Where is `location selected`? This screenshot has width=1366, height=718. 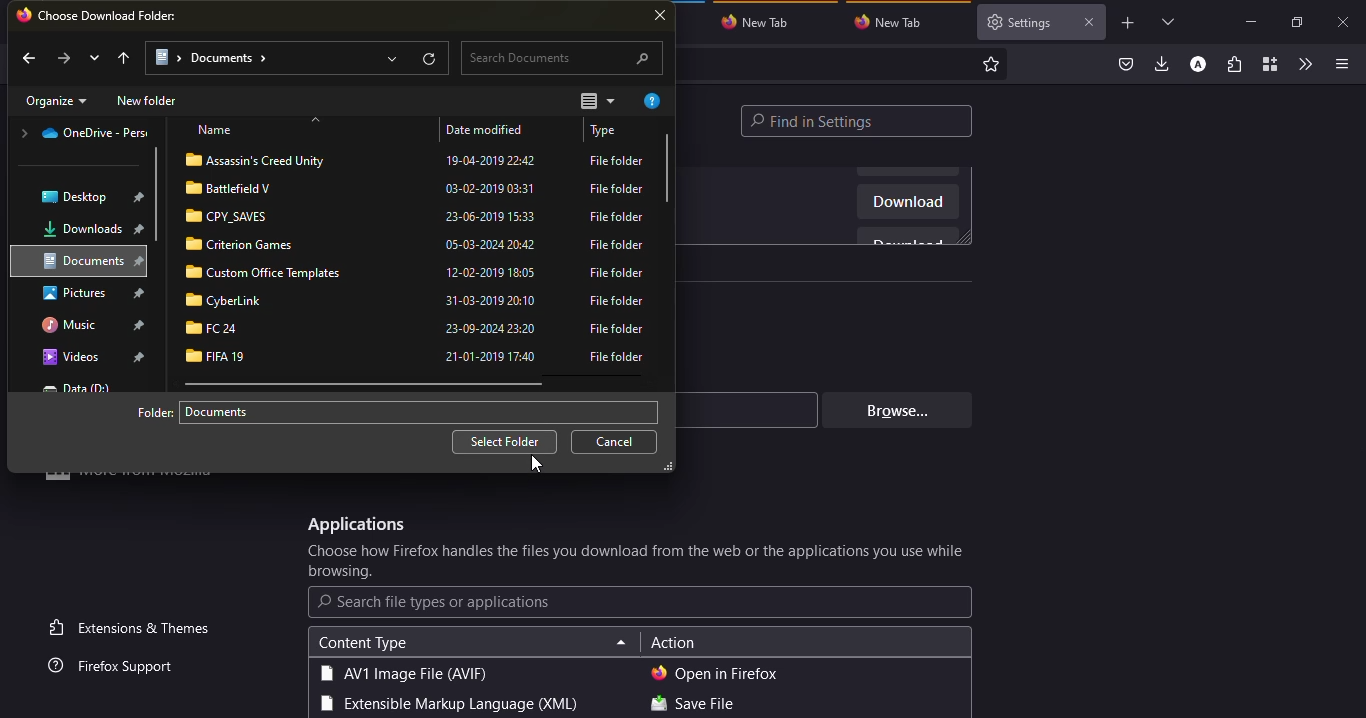
location selected is located at coordinates (88, 263).